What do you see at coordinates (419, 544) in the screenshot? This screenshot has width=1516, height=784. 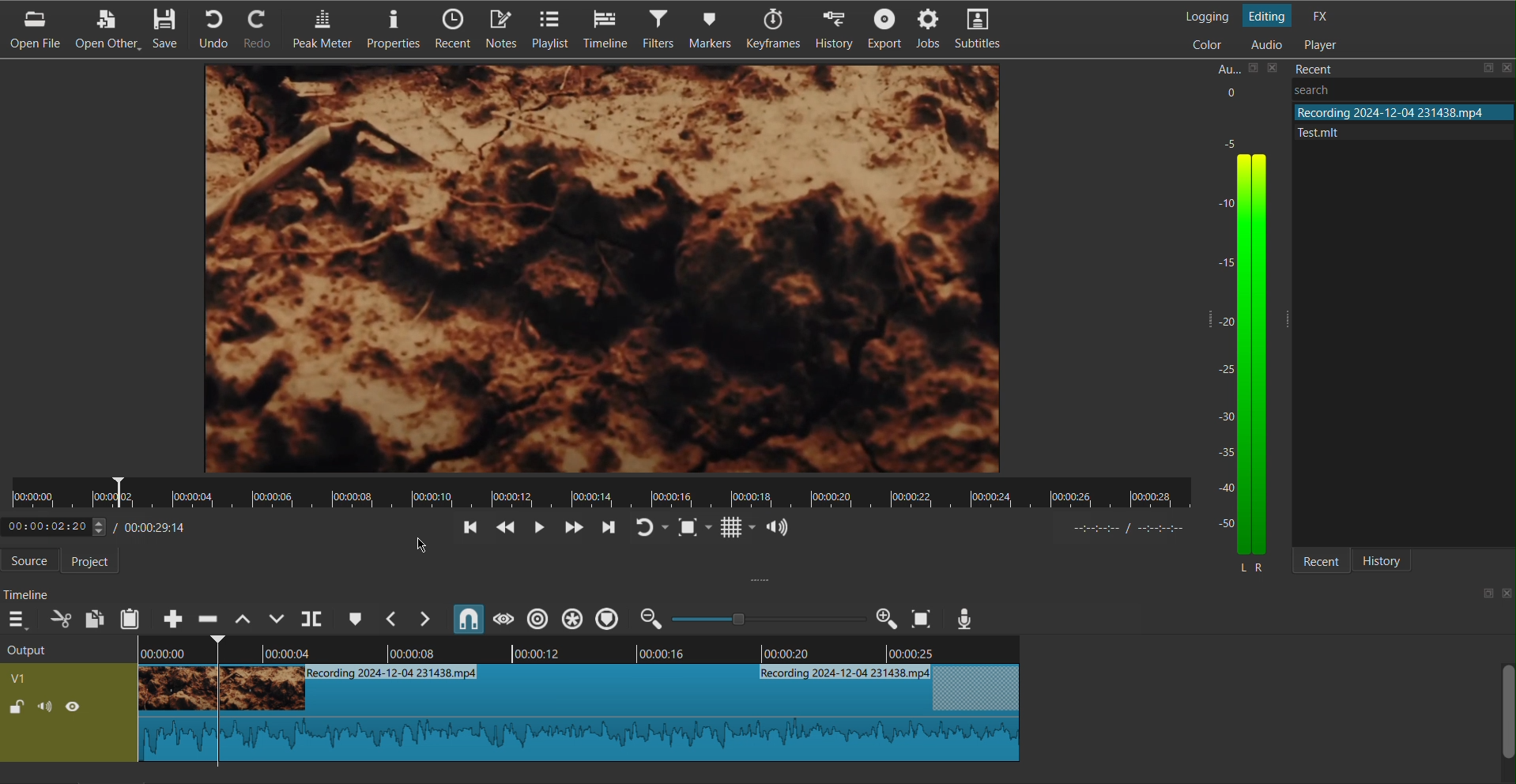 I see `cursor` at bounding box center [419, 544].